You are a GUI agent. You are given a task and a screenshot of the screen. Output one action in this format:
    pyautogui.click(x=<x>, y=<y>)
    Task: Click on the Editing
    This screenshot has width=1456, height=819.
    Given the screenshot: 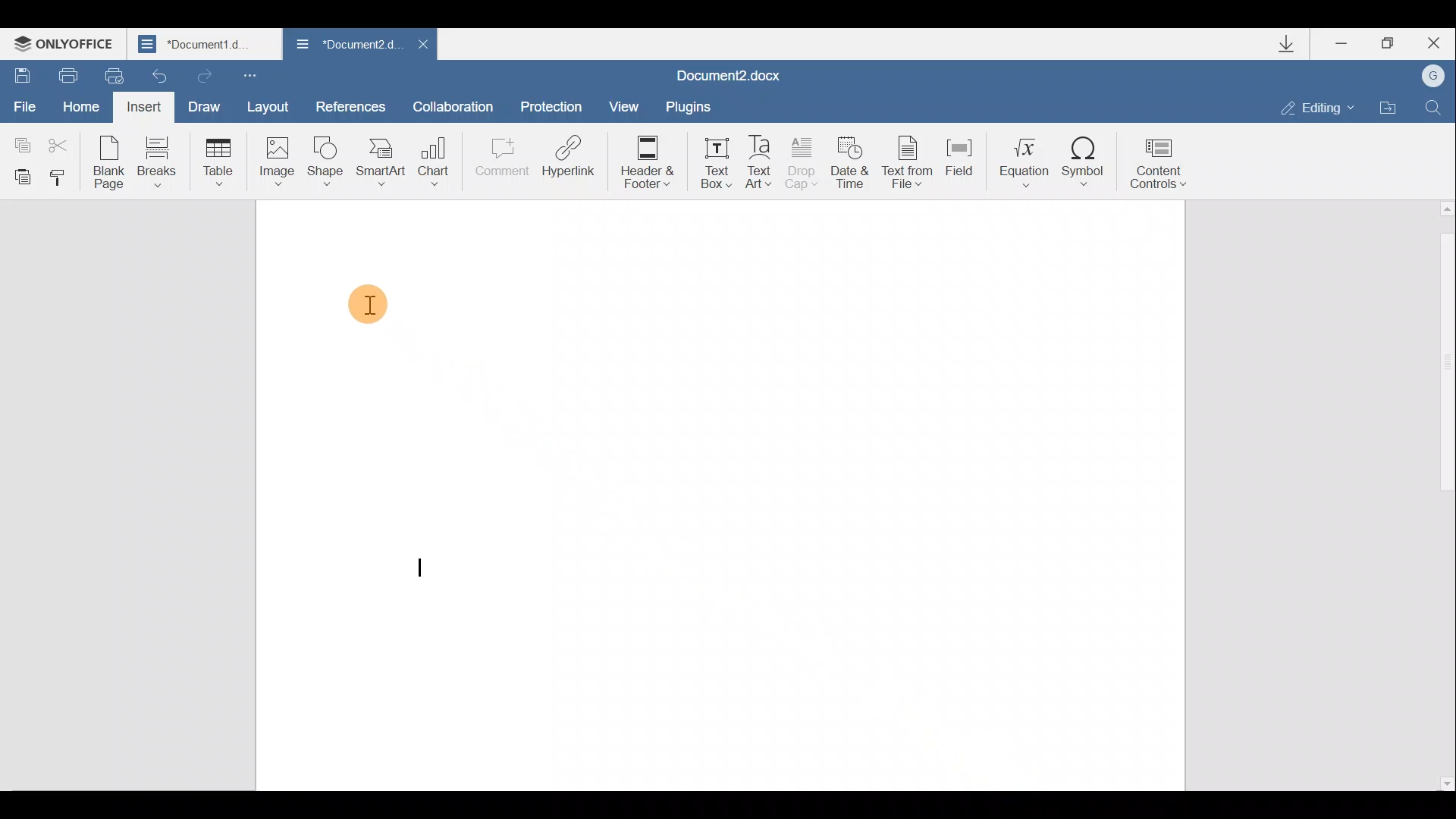 What is the action you would take?
    pyautogui.click(x=1323, y=108)
    